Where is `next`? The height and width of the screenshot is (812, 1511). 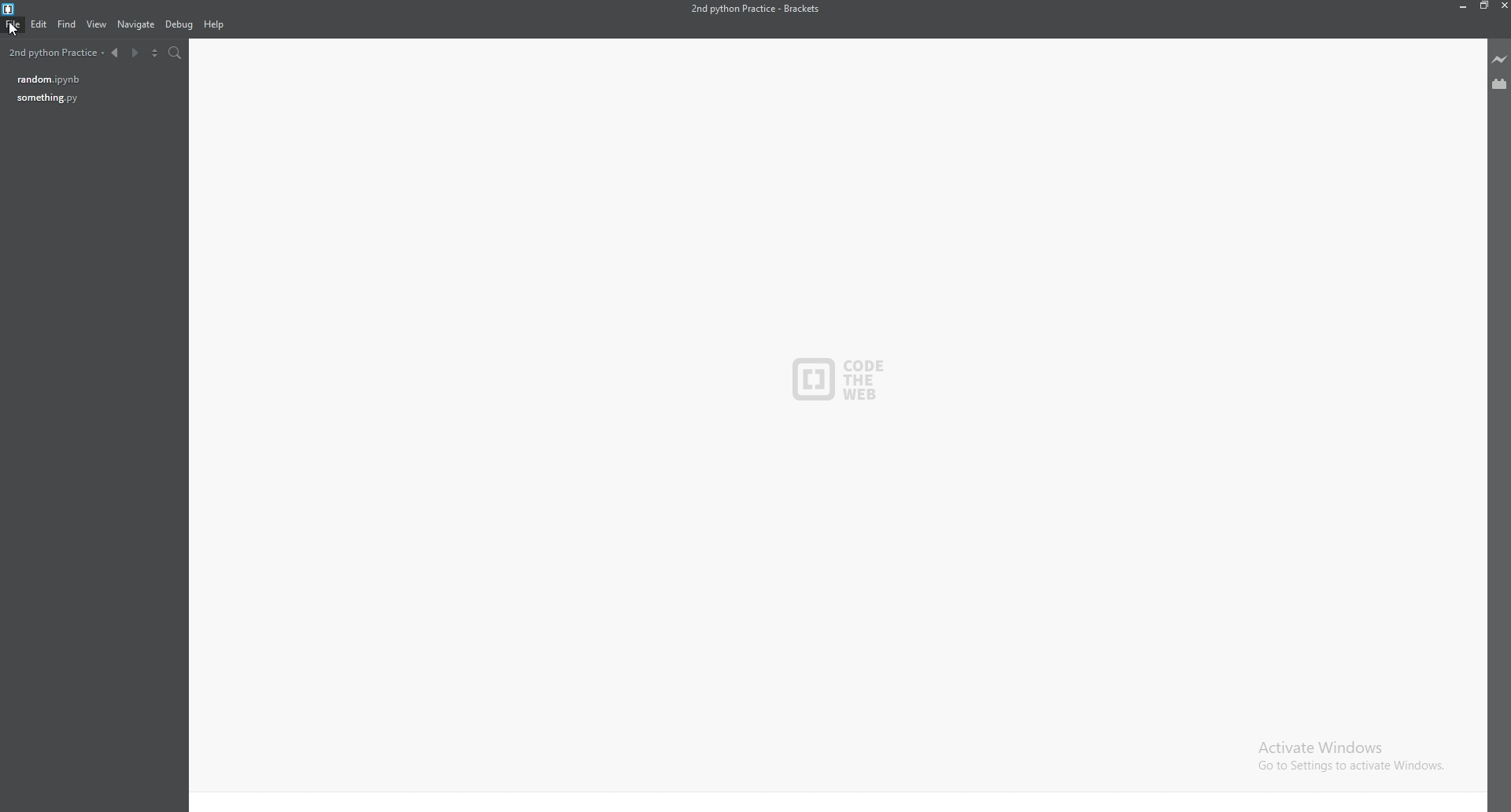 next is located at coordinates (137, 53).